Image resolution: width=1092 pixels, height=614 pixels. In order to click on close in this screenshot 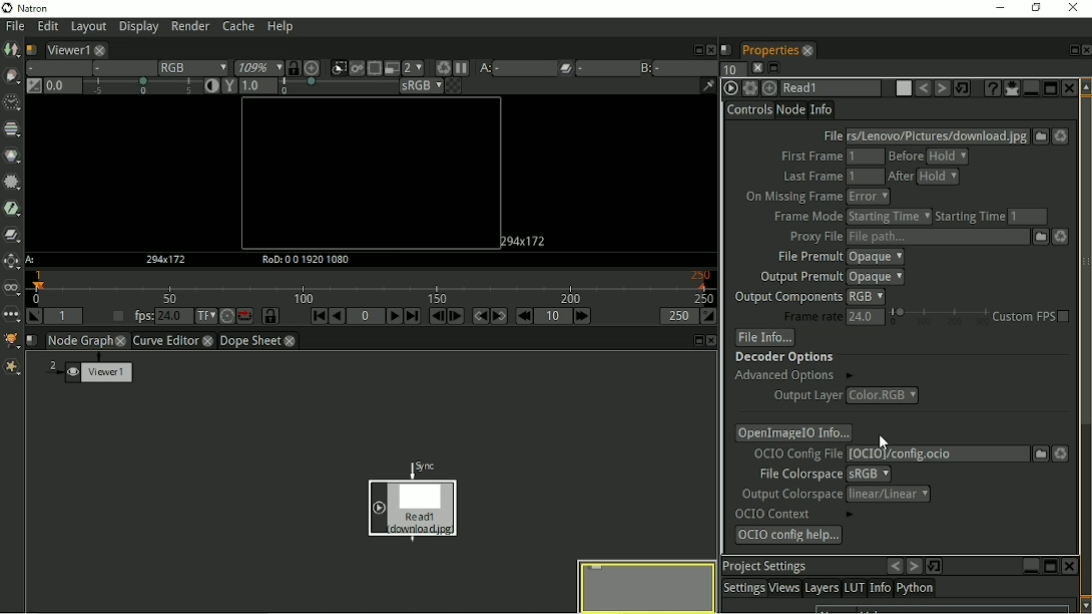, I will do `click(711, 341)`.